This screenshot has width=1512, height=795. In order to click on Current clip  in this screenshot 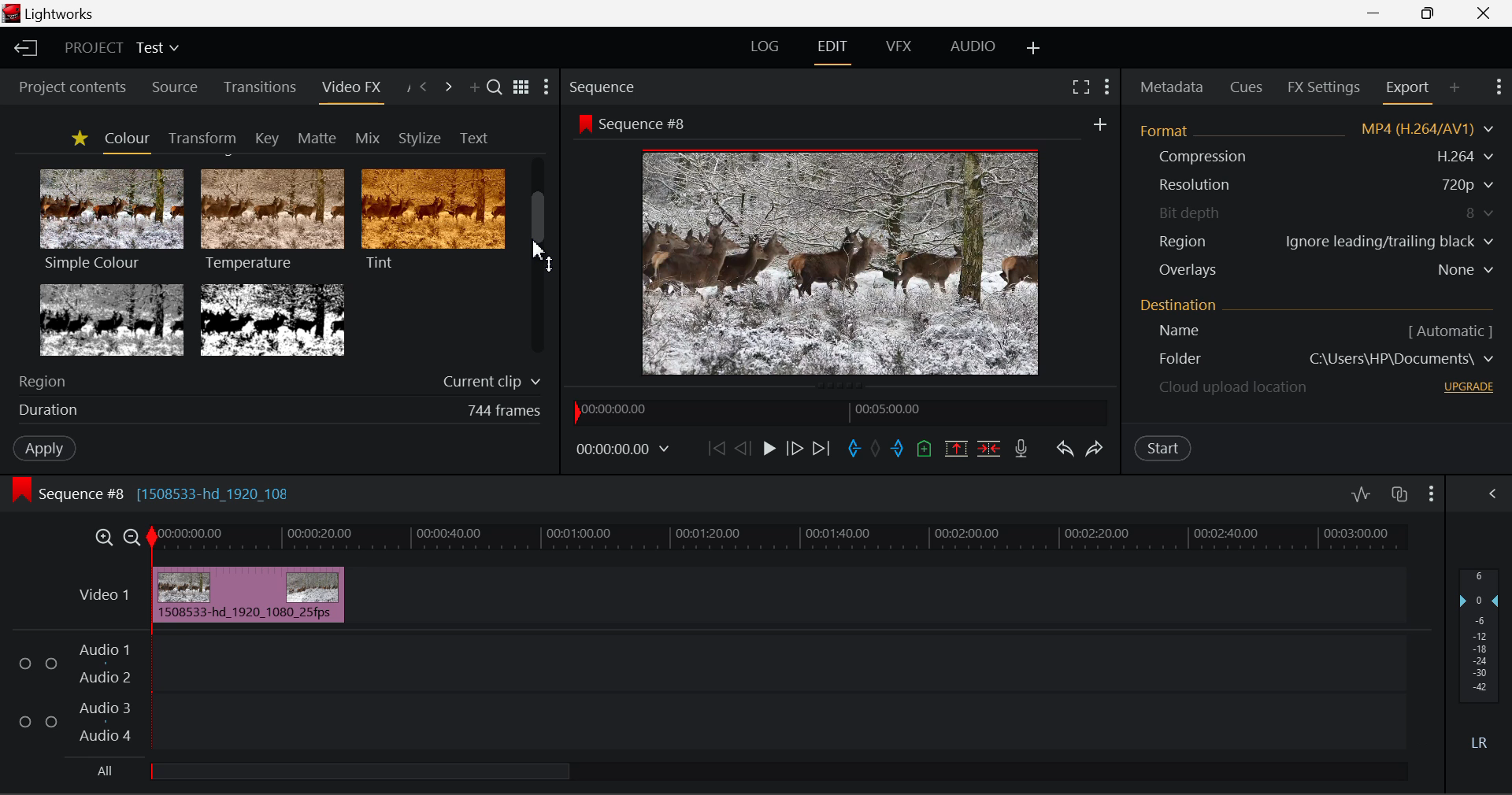, I will do `click(489, 383)`.